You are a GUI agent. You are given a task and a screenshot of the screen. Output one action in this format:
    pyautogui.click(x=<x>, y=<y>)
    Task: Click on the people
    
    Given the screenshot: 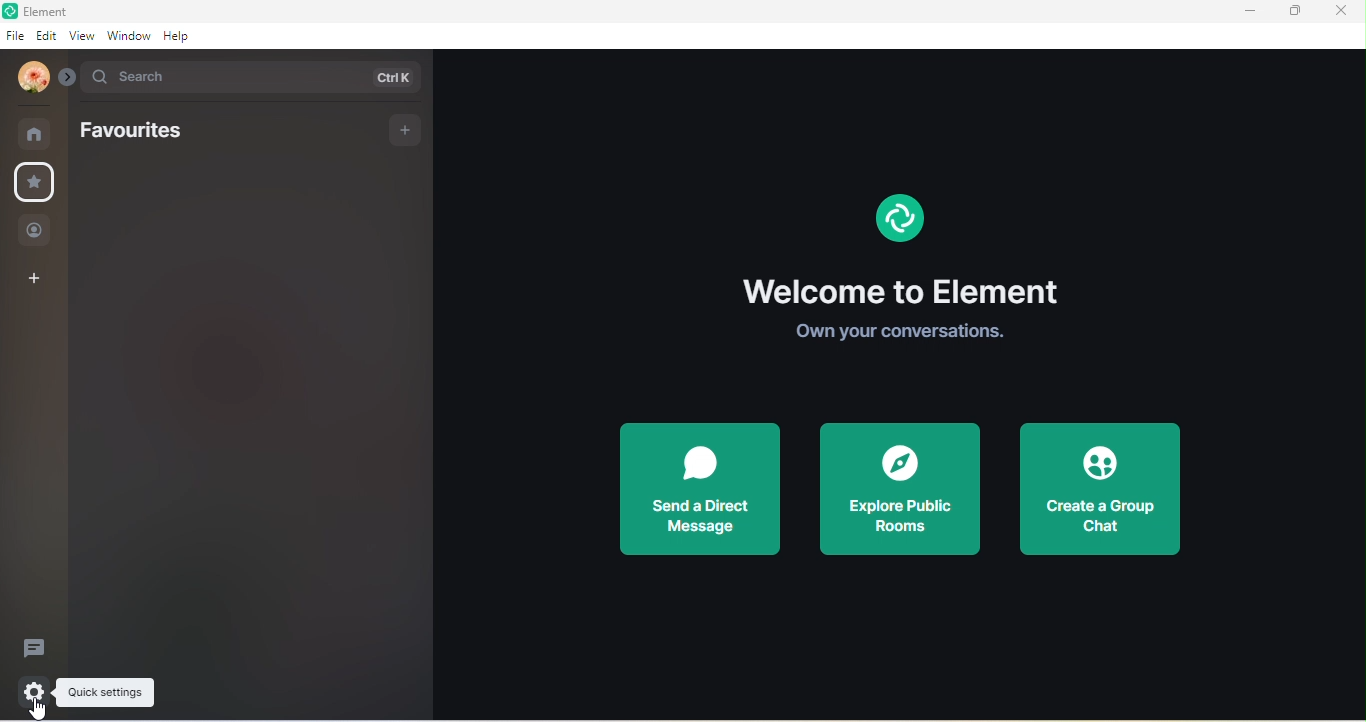 What is the action you would take?
    pyautogui.click(x=37, y=230)
    